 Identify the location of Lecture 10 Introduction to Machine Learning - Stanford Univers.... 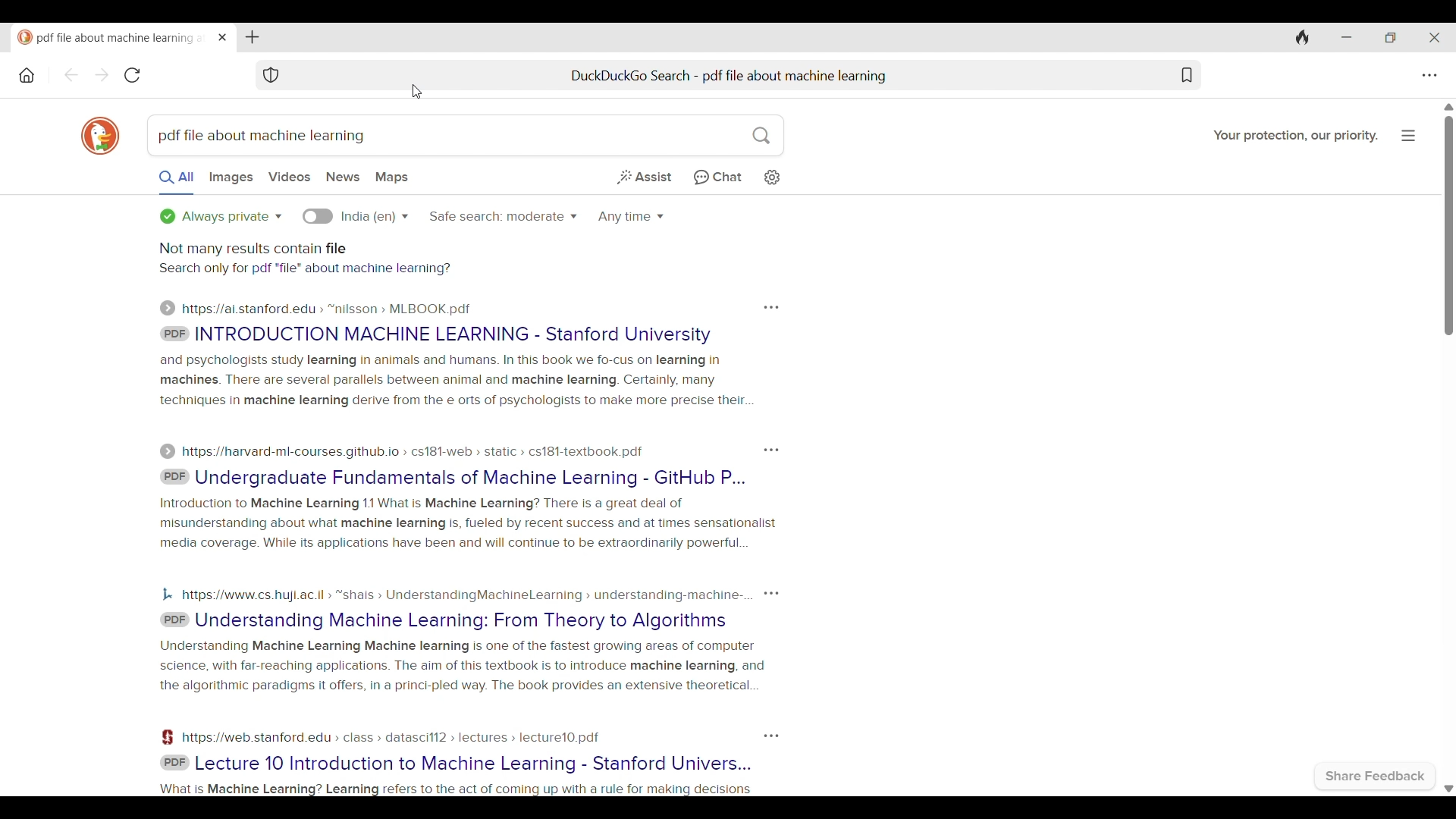
(475, 764).